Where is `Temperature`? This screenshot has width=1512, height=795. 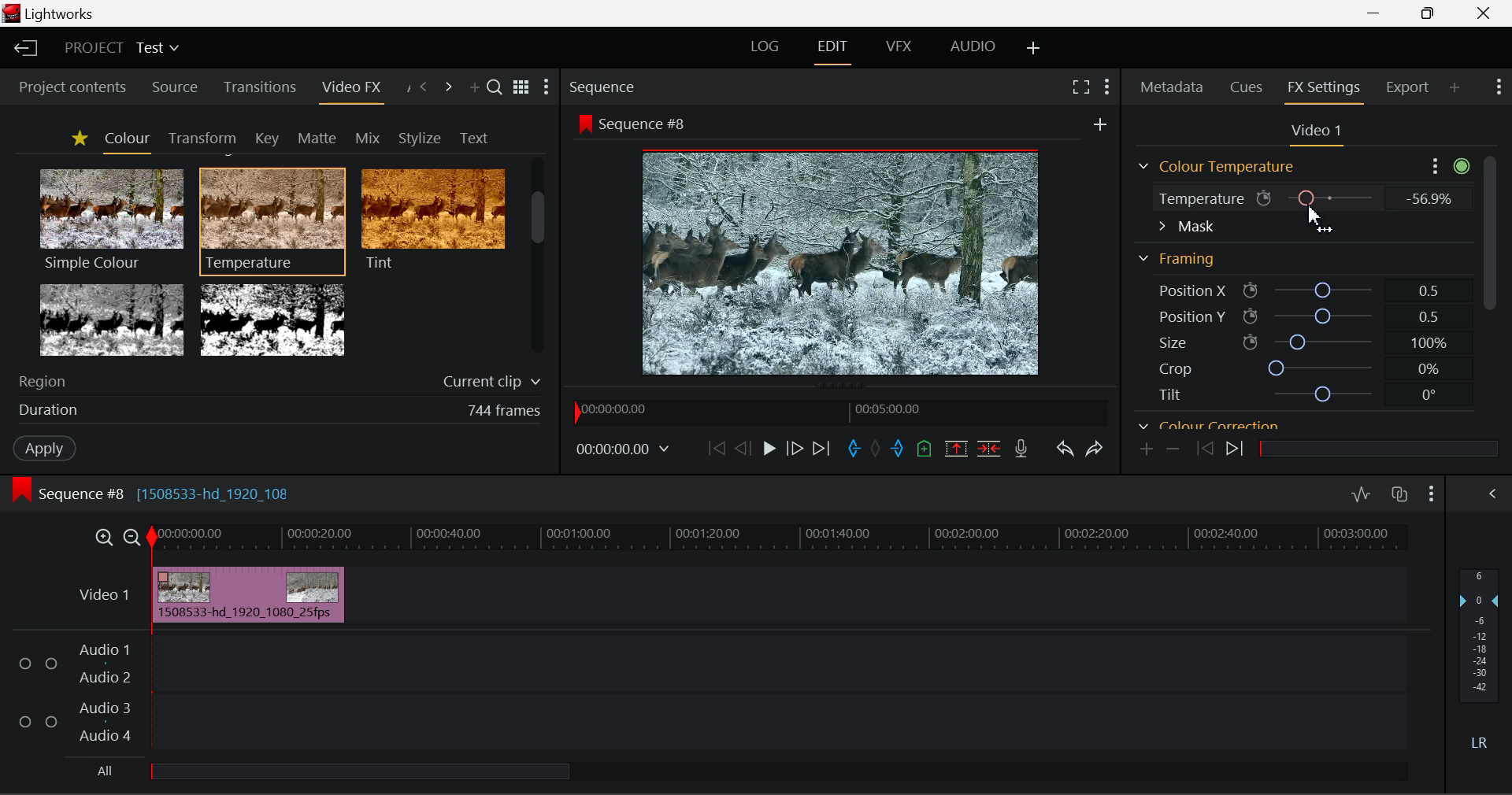
Temperature is located at coordinates (273, 219).